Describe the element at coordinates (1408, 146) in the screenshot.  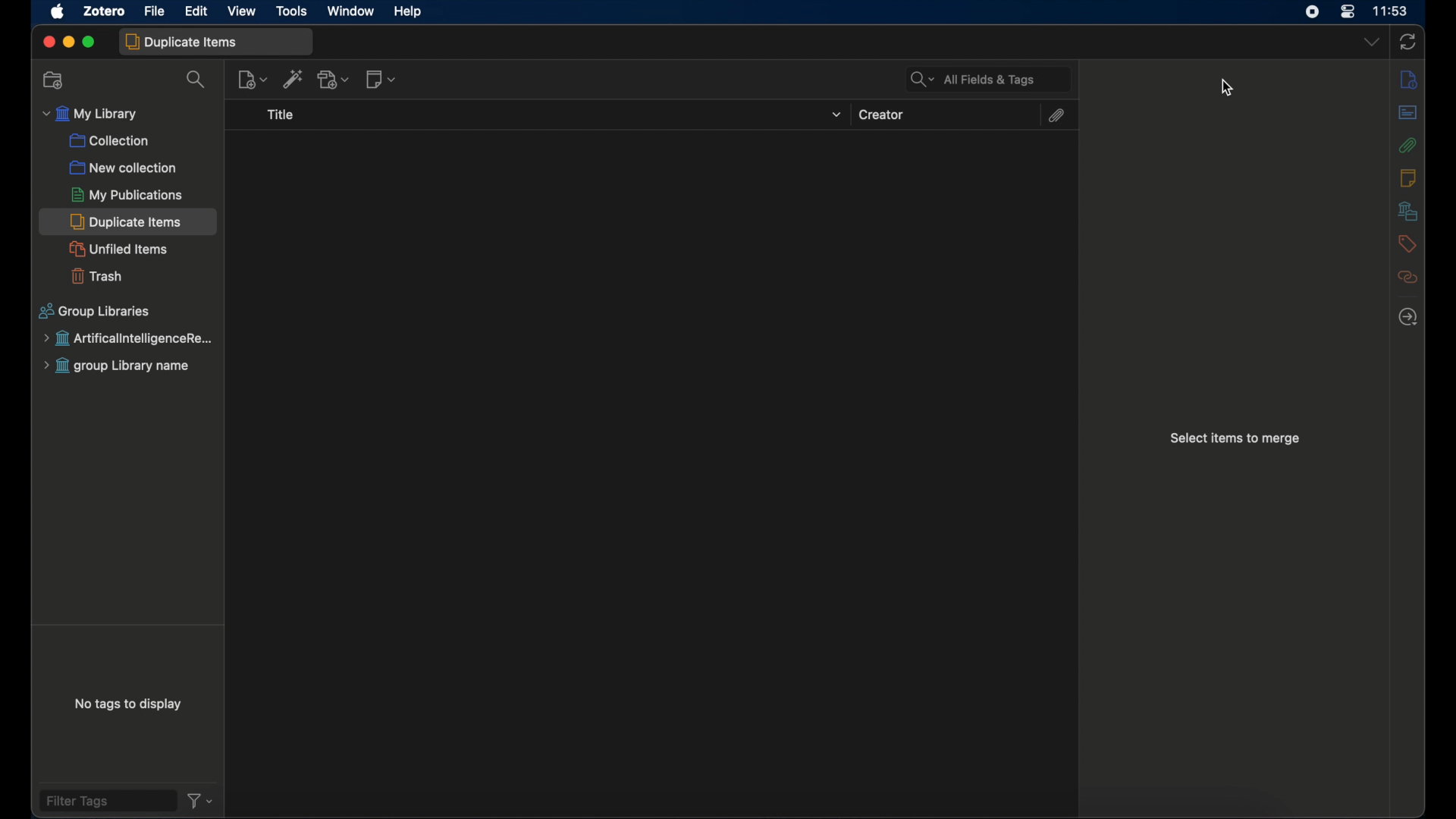
I see `attachments` at that location.